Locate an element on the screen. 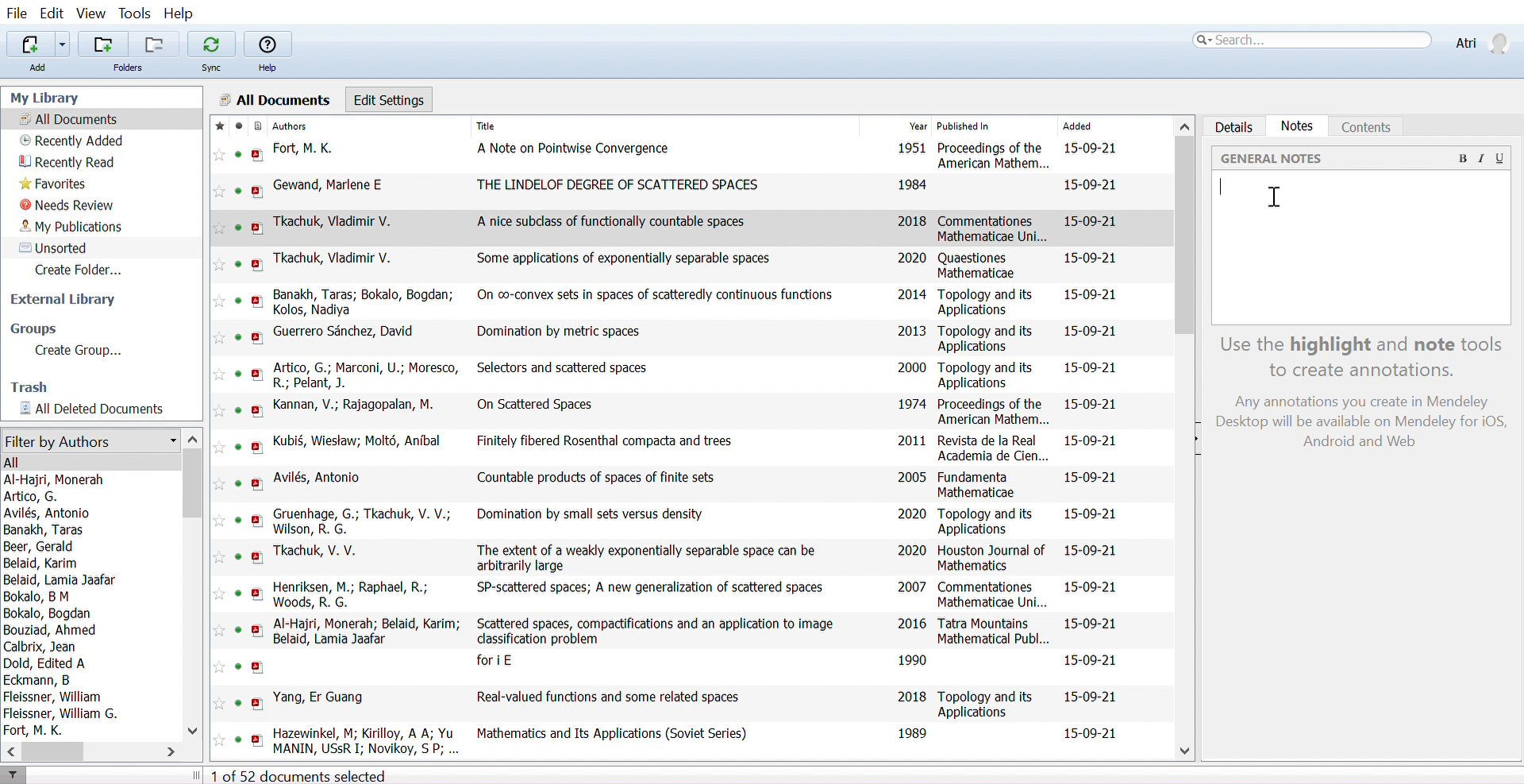 This screenshot has width=1524, height=784. Trash is located at coordinates (37, 388).